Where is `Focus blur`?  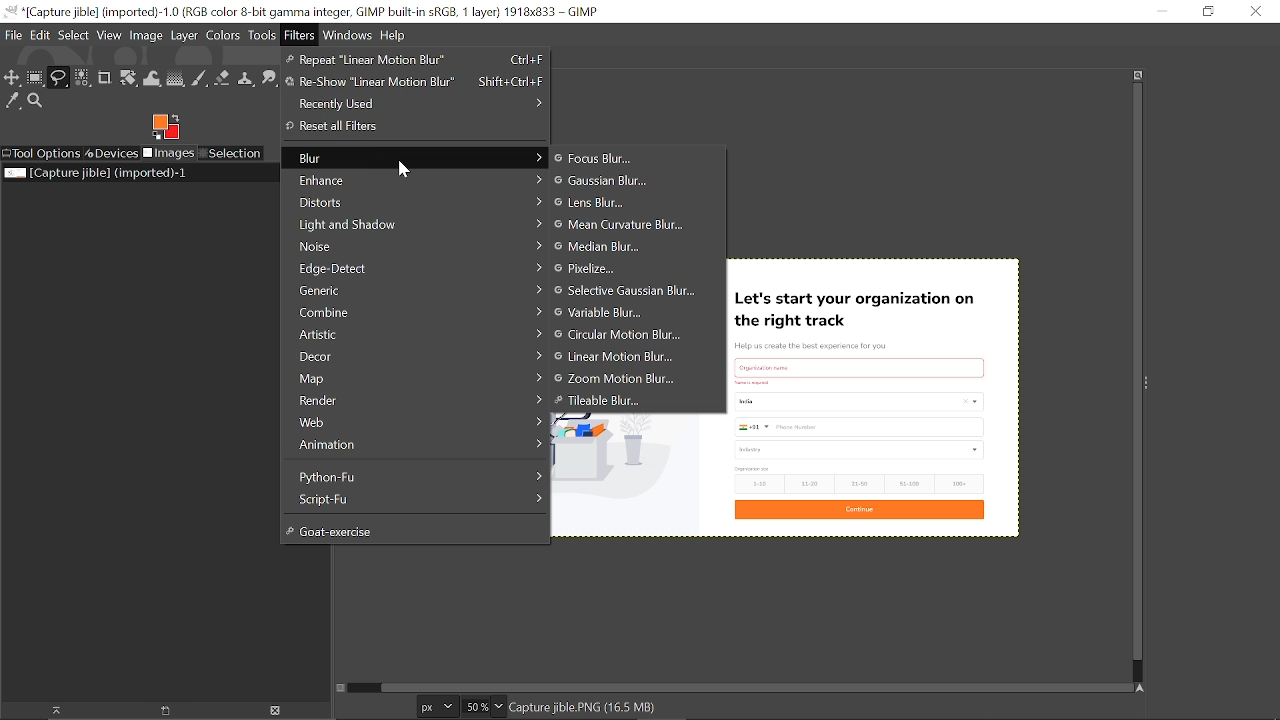 Focus blur is located at coordinates (615, 158).